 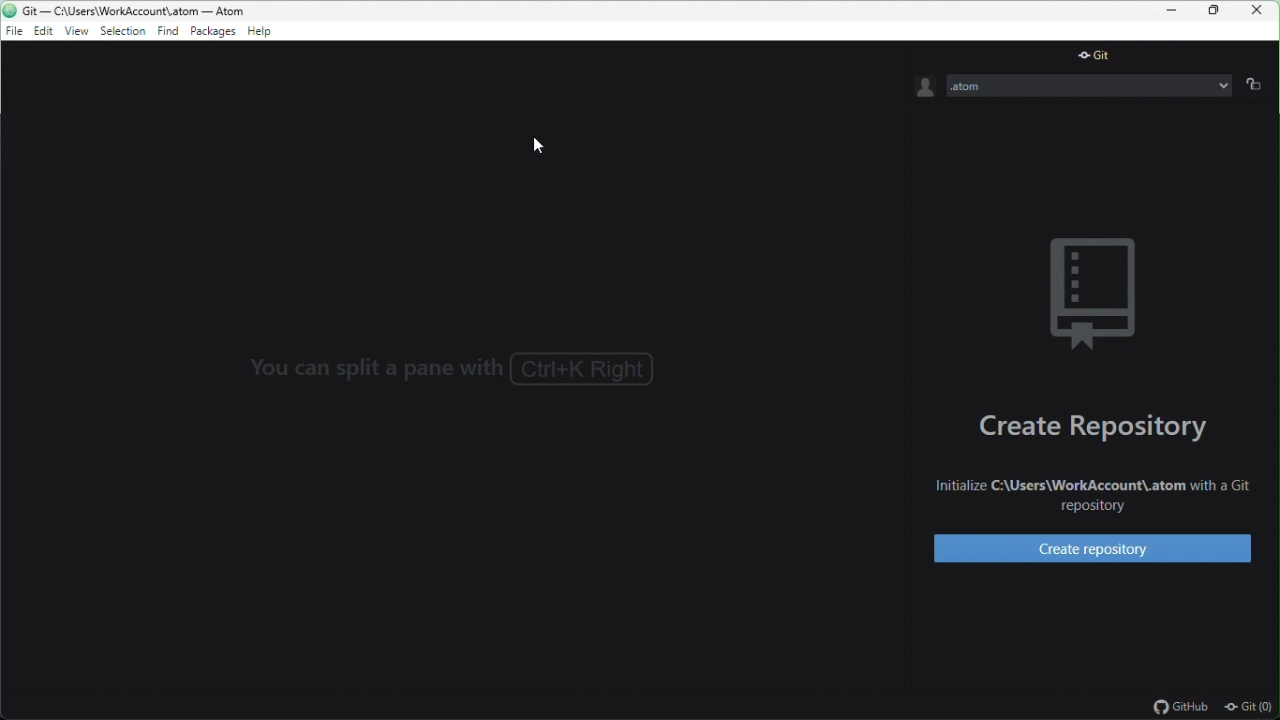 I want to click on git, so click(x=1102, y=53).